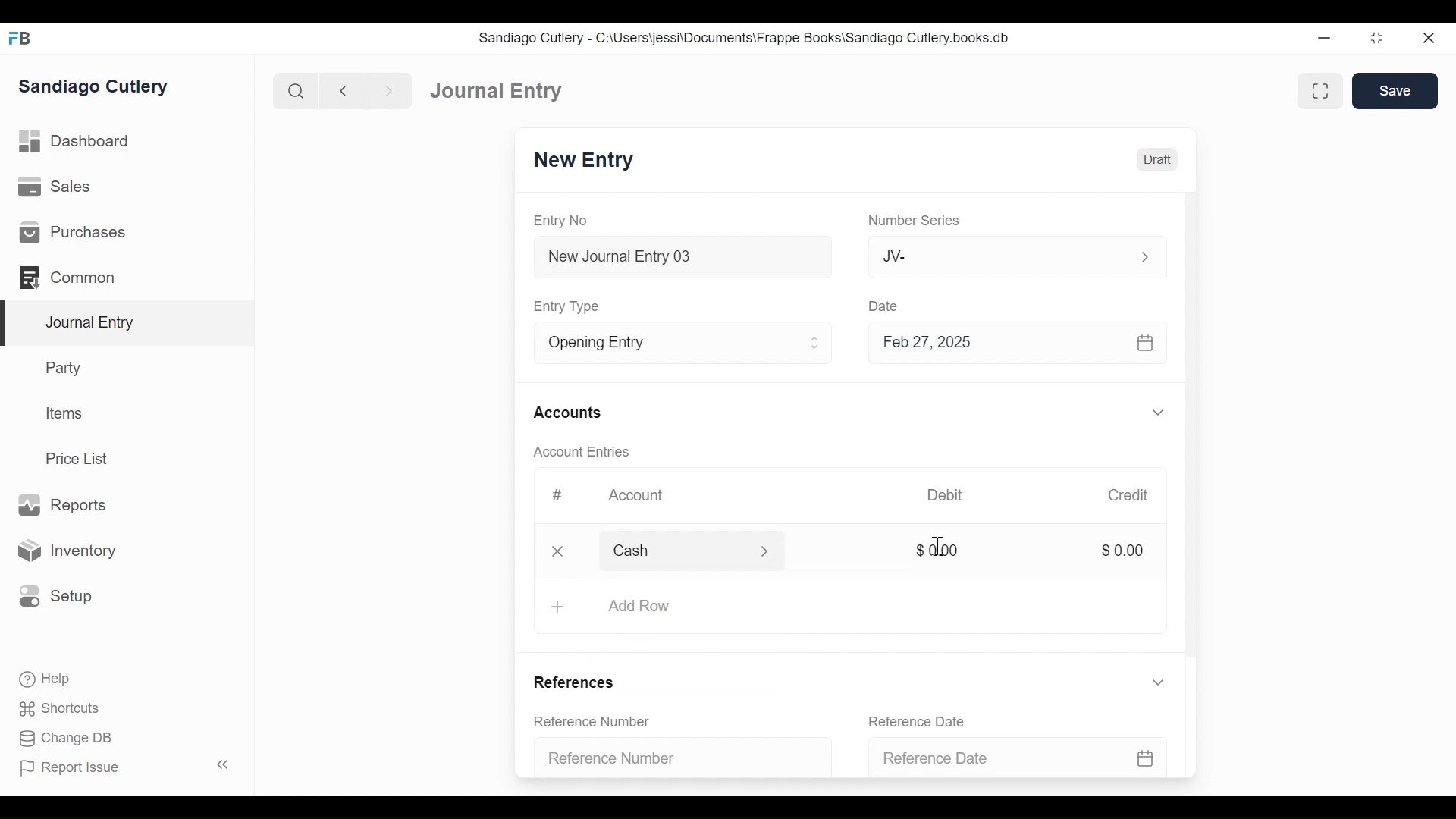 This screenshot has height=819, width=1456. I want to click on $0.00, so click(938, 550).